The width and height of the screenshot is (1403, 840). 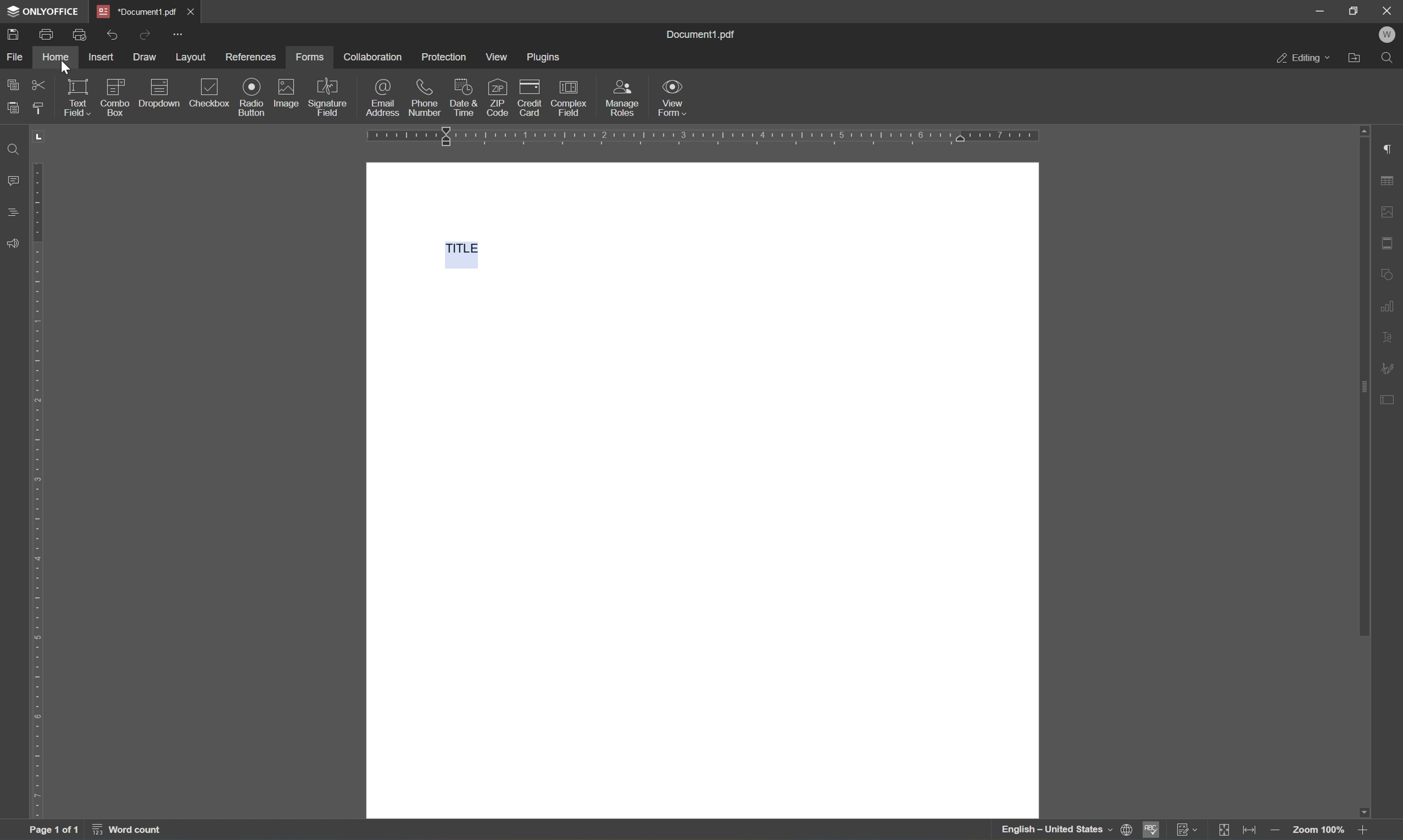 I want to click on fit to width, so click(x=1251, y=830).